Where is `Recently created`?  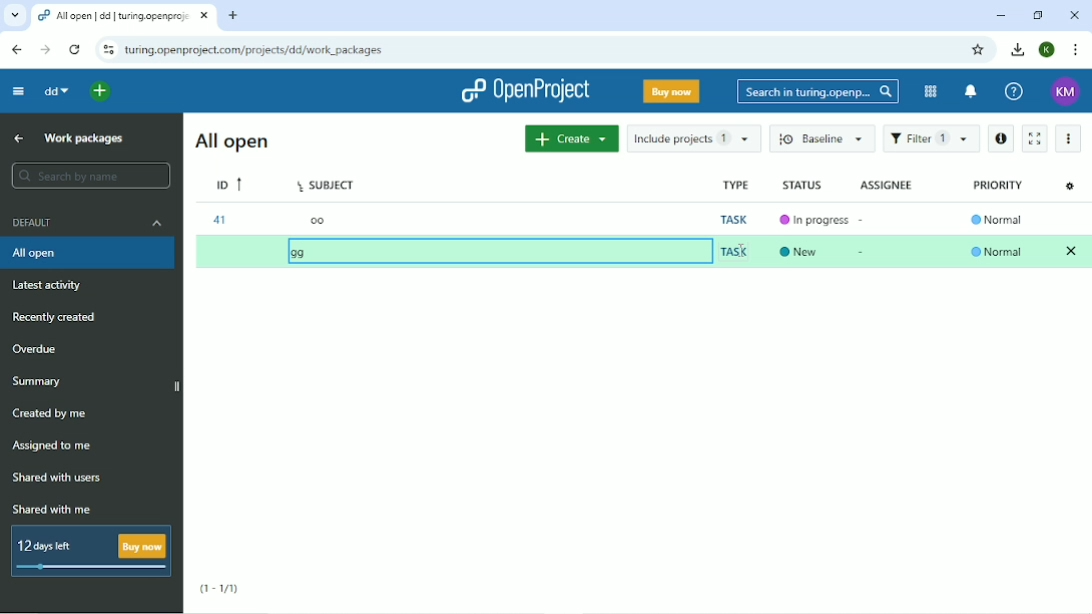
Recently created is located at coordinates (62, 317).